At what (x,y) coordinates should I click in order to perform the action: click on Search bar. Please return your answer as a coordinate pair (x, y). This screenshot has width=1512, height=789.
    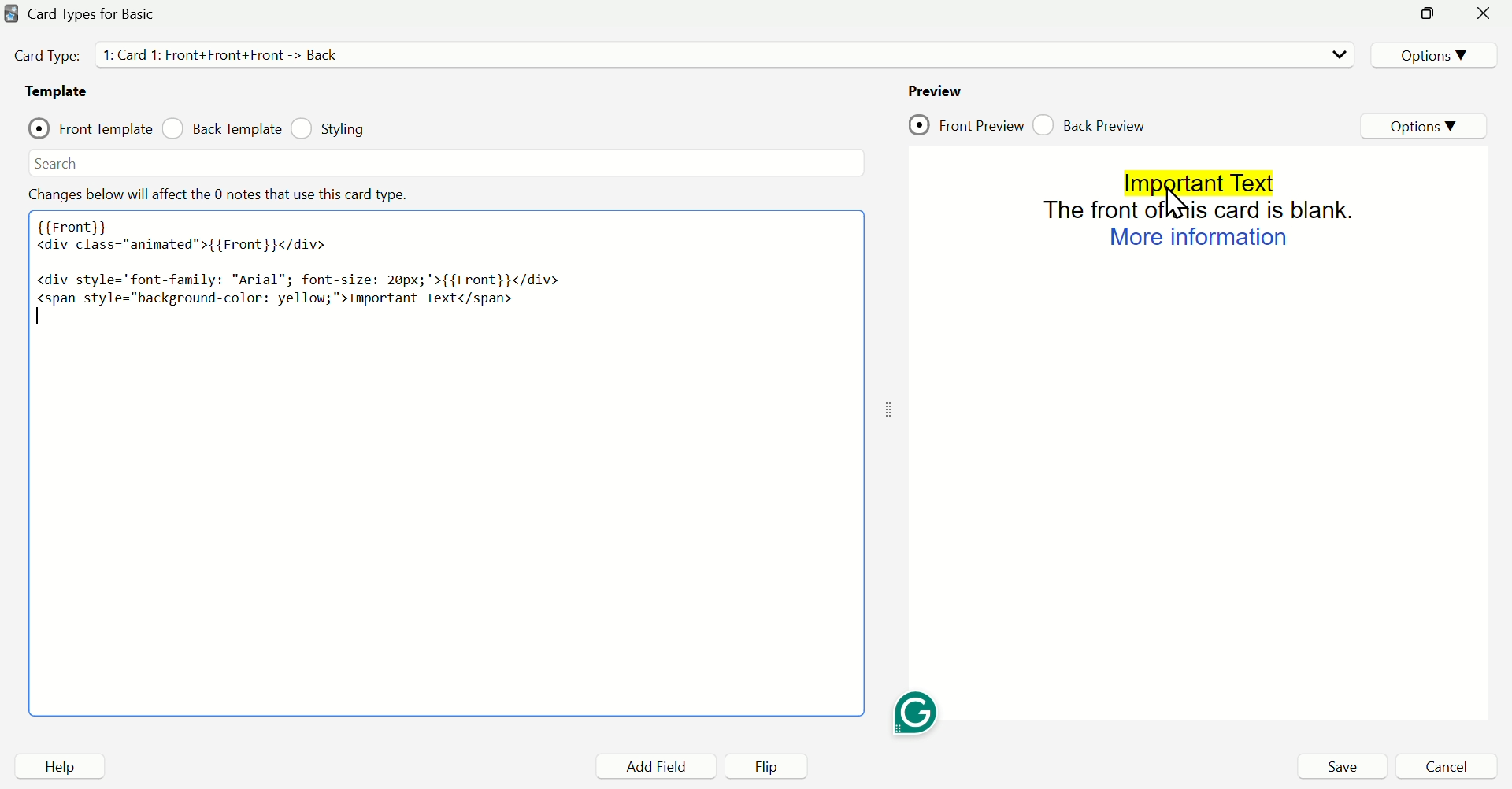
    Looking at the image, I should click on (443, 162).